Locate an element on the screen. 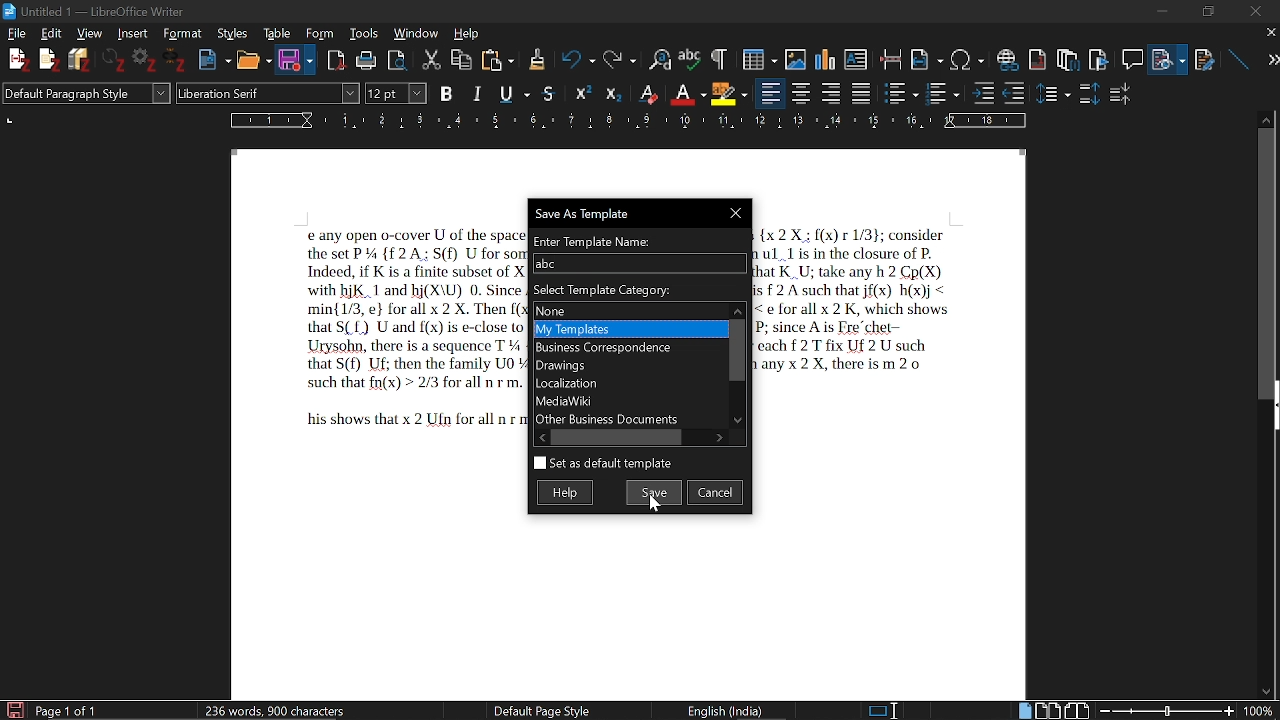 This screenshot has width=1280, height=720. Toggle print preview is located at coordinates (402, 58).